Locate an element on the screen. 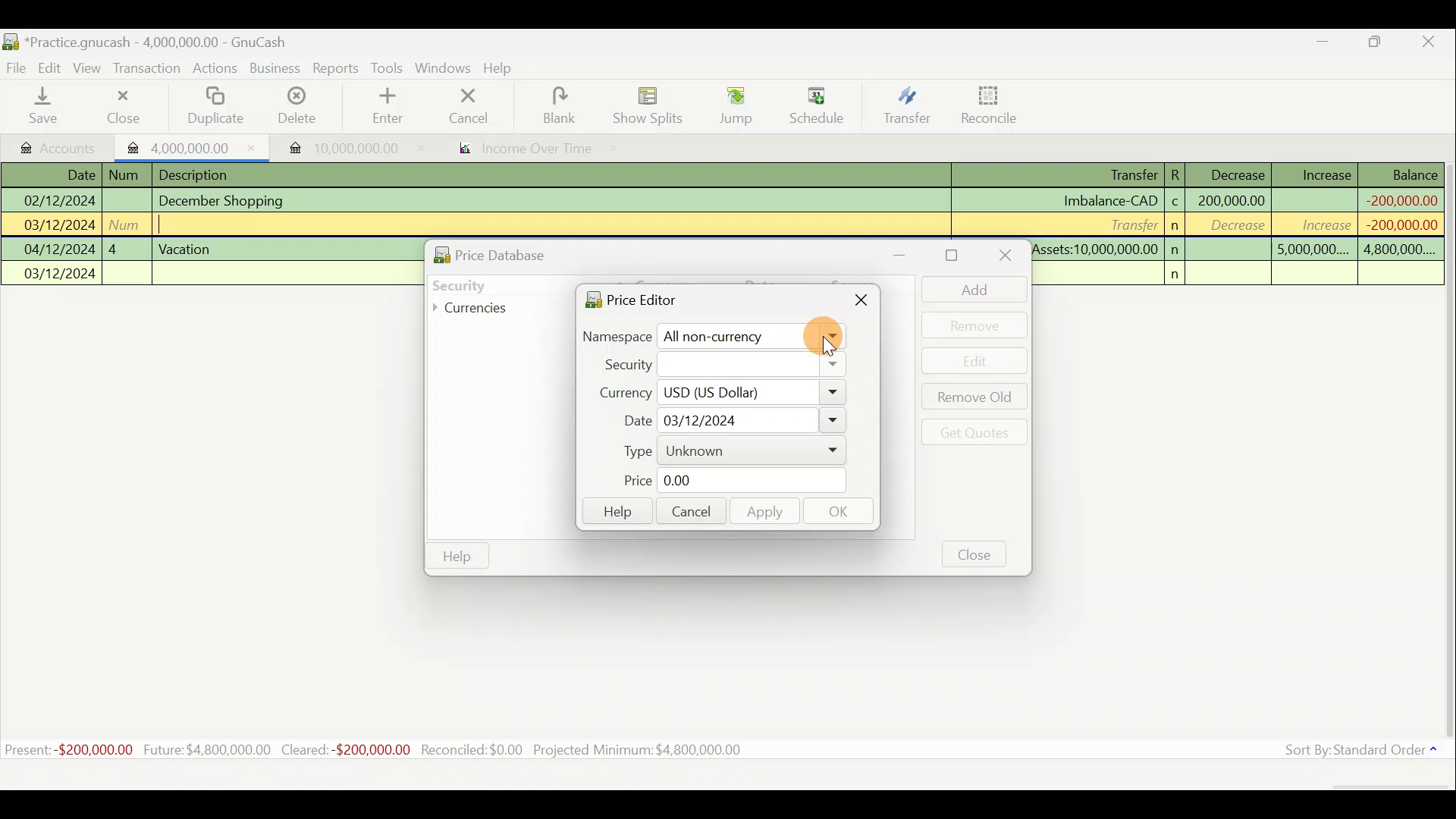 The image size is (1456, 819). Imbalance-CAD is located at coordinates (1109, 200).